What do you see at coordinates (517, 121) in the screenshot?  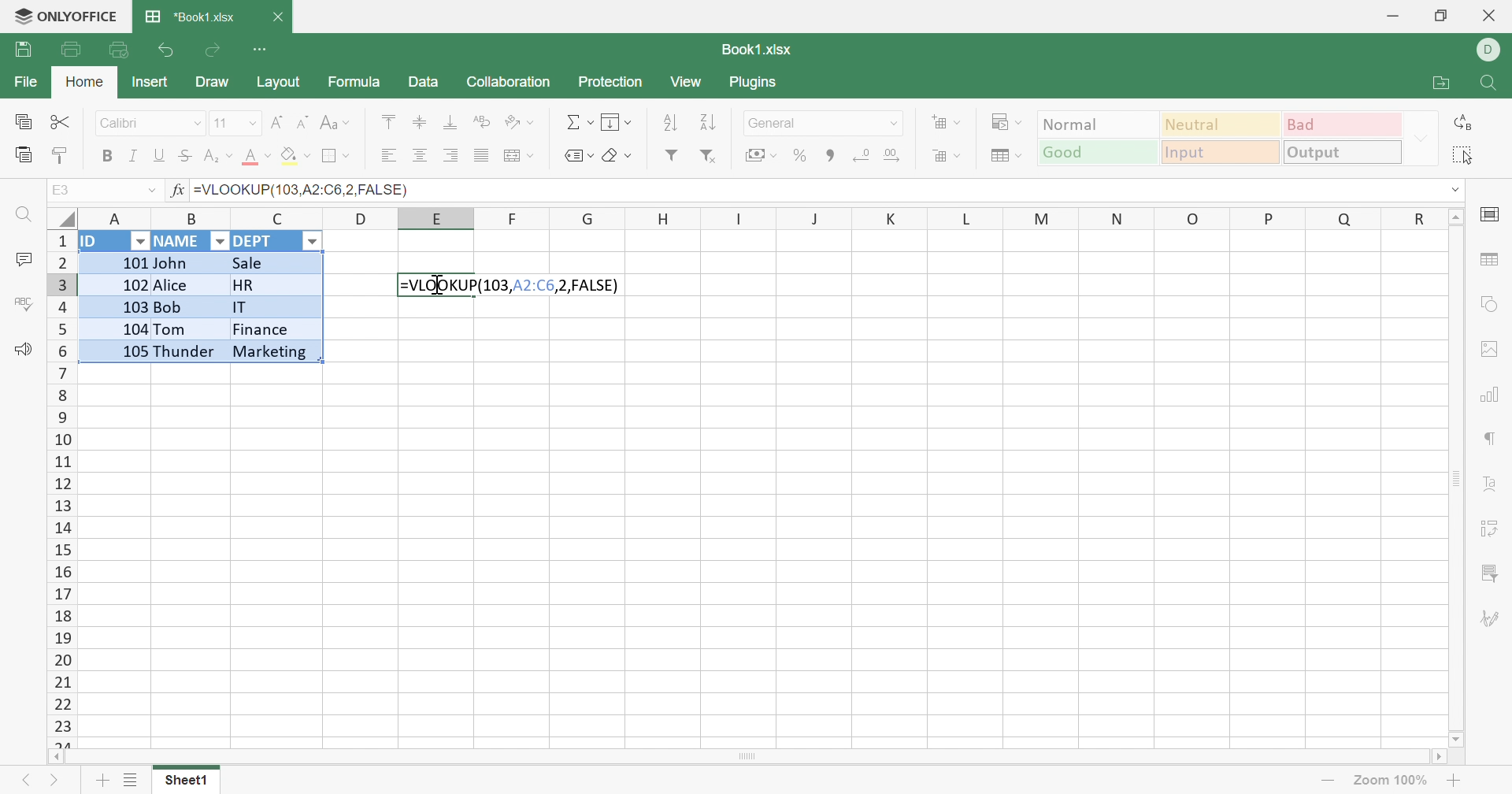 I see `Orientation` at bounding box center [517, 121].